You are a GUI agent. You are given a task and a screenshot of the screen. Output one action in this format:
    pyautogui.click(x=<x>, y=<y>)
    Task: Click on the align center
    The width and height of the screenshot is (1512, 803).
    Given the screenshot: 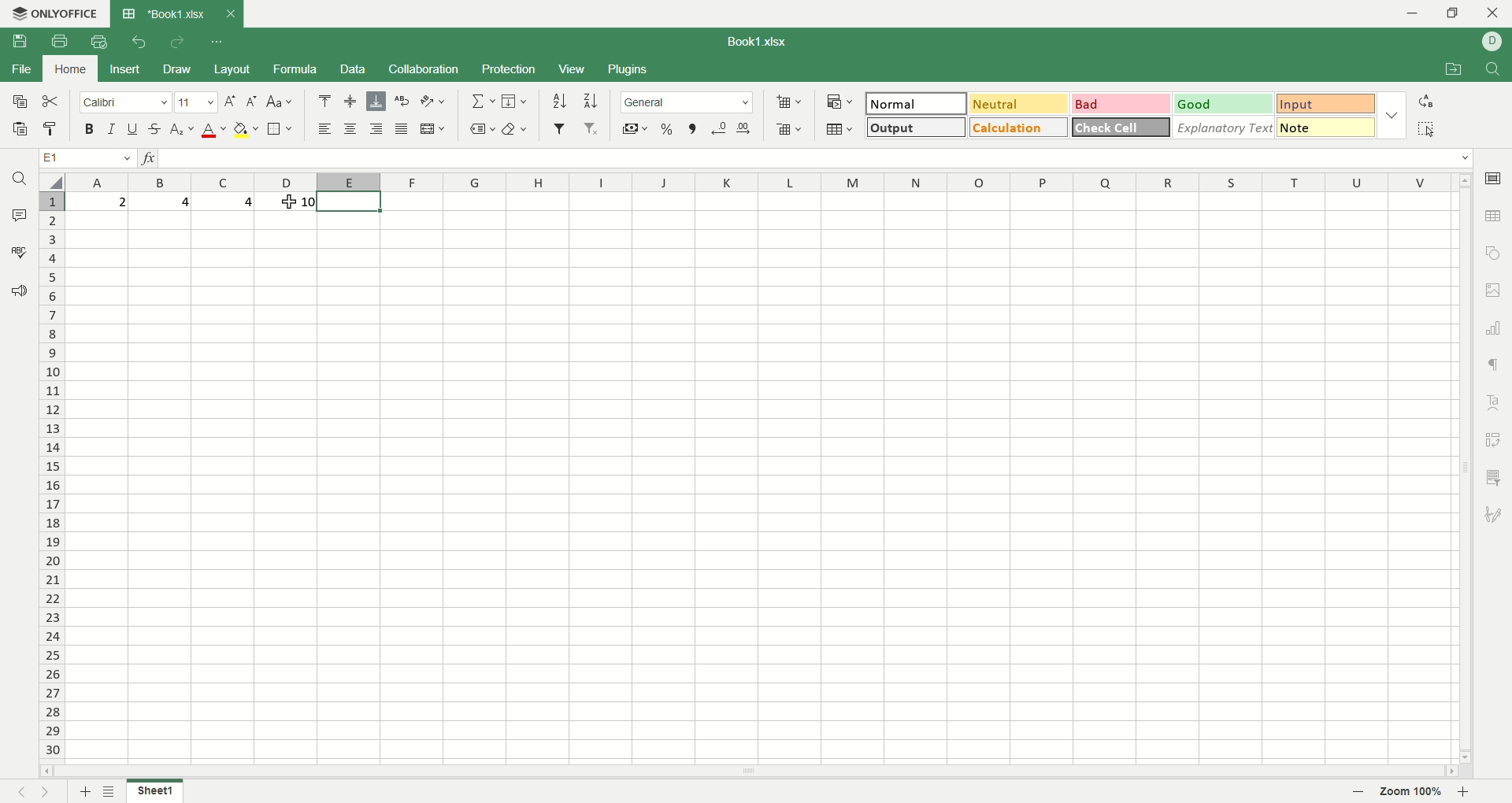 What is the action you would take?
    pyautogui.click(x=351, y=130)
    